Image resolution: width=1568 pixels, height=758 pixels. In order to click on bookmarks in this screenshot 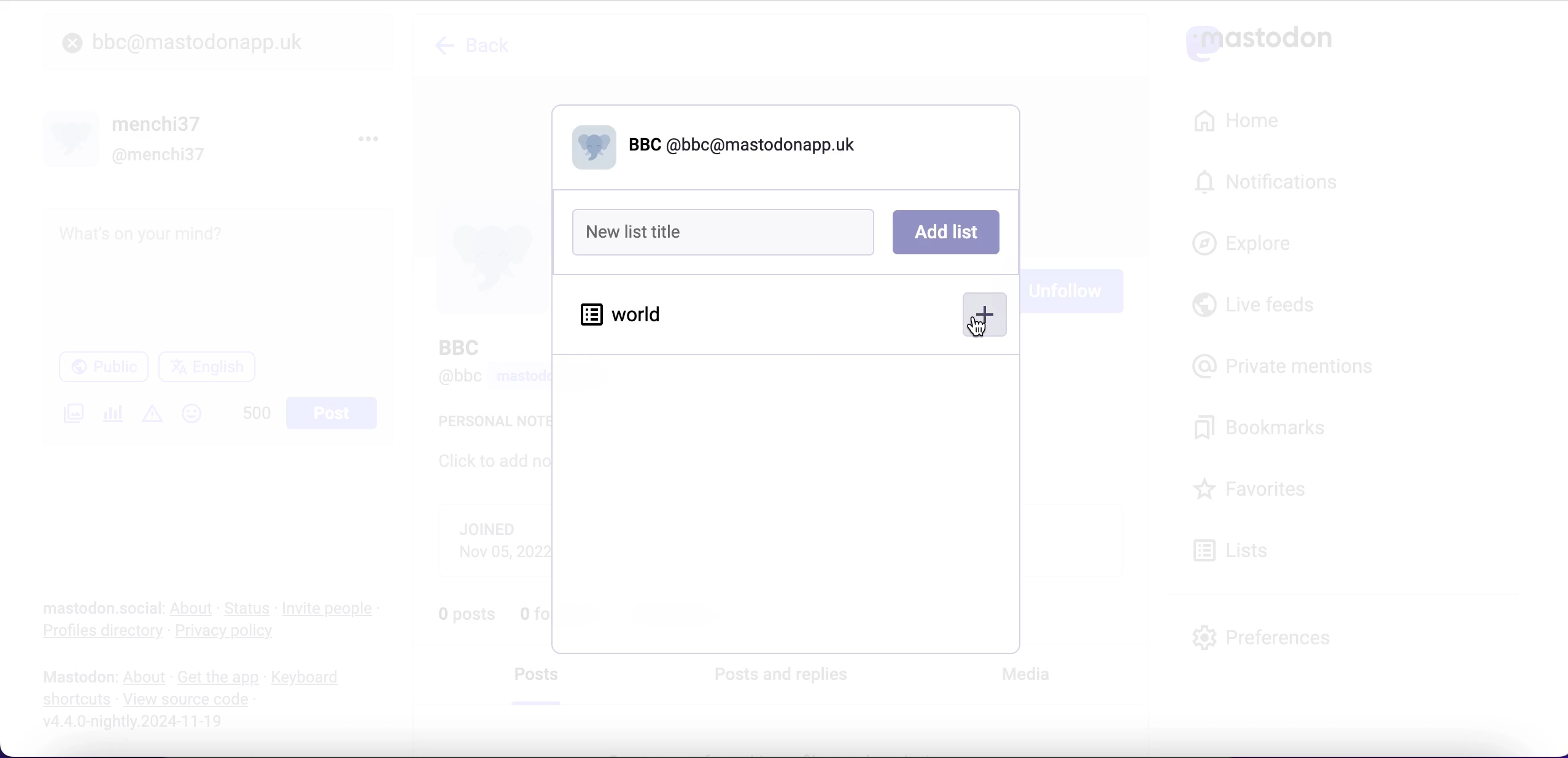, I will do `click(1263, 428)`.